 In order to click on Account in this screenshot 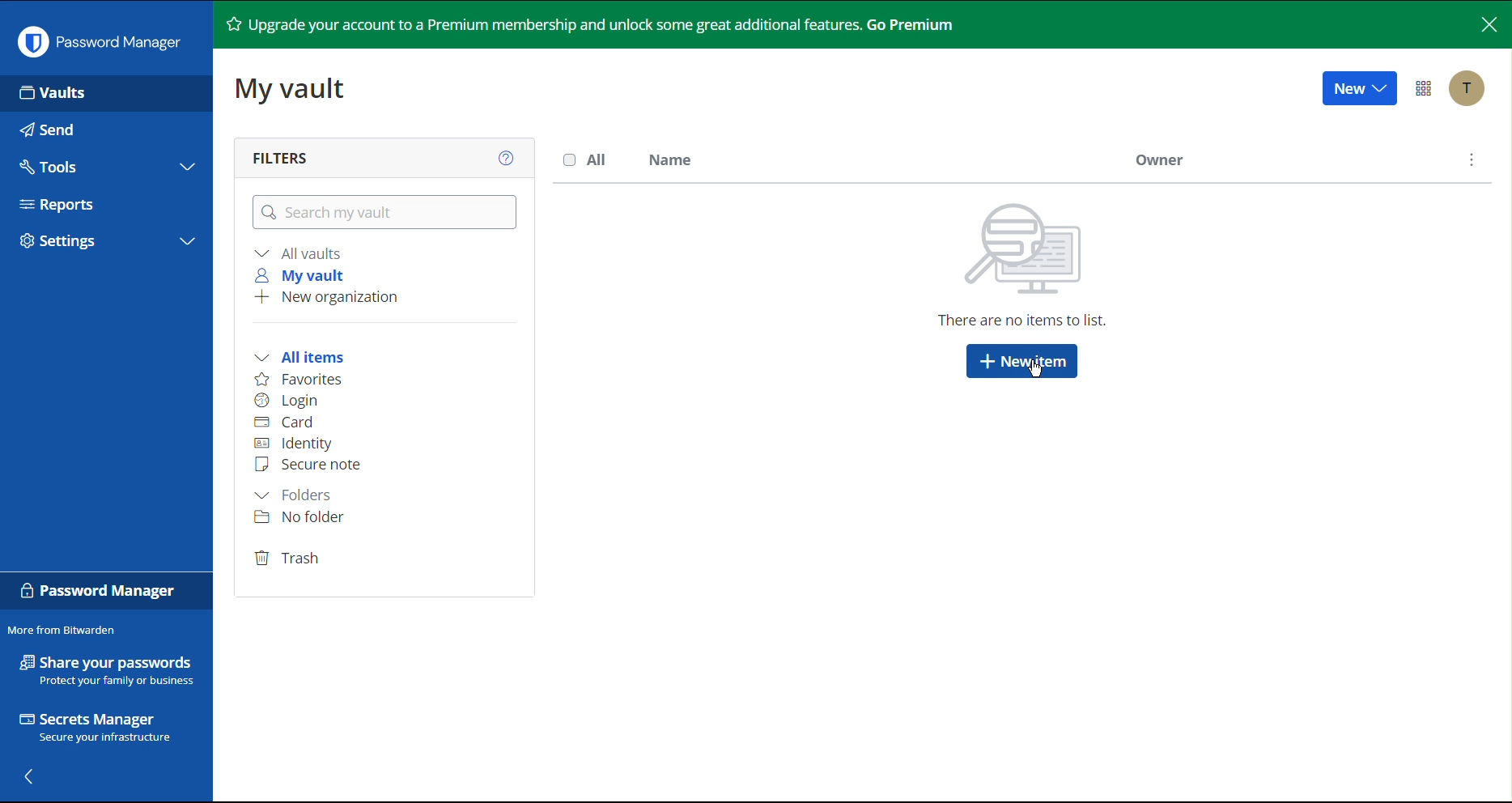, I will do `click(1467, 90)`.